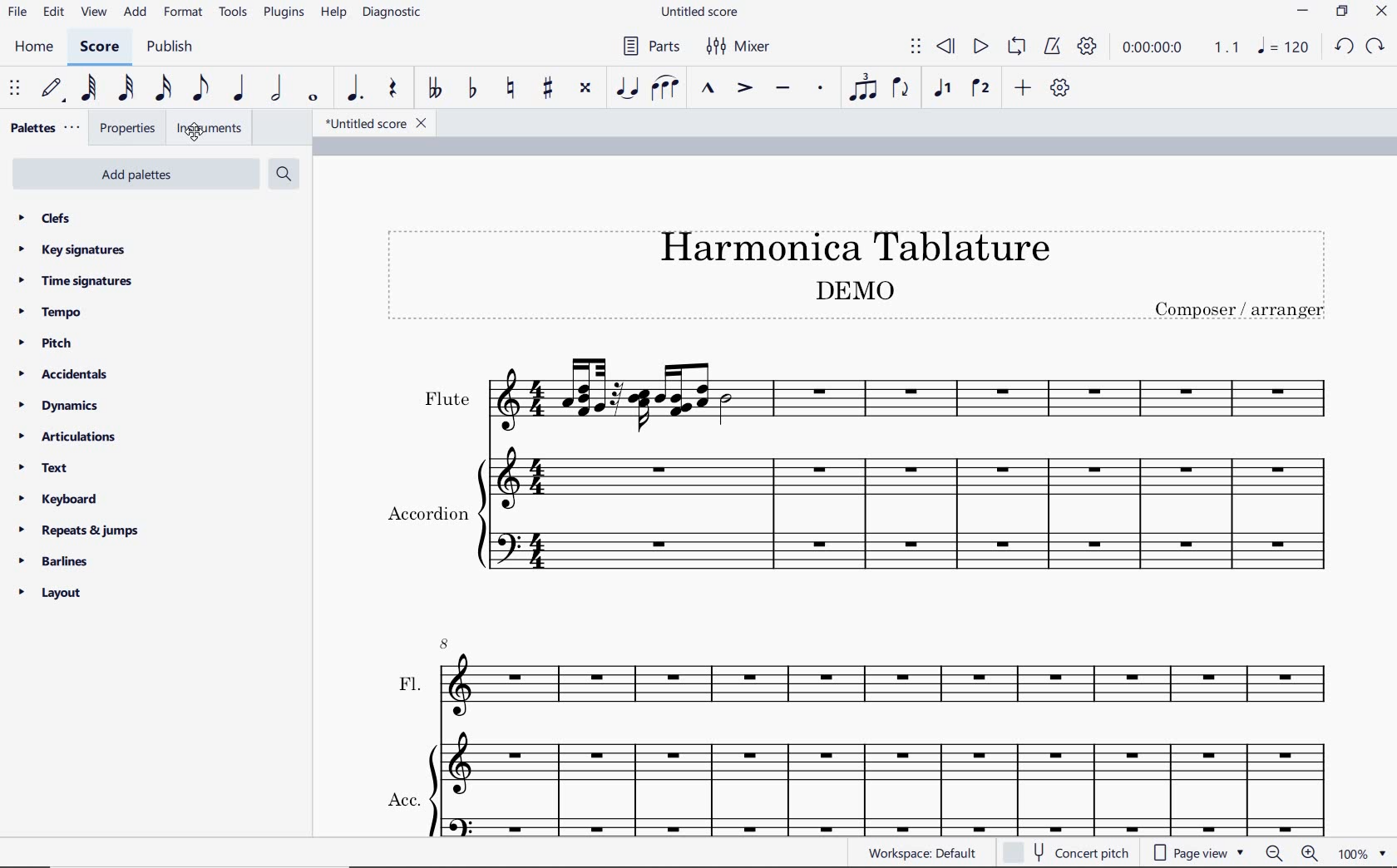  Describe the element at coordinates (183, 13) in the screenshot. I see `FORMAT` at that location.